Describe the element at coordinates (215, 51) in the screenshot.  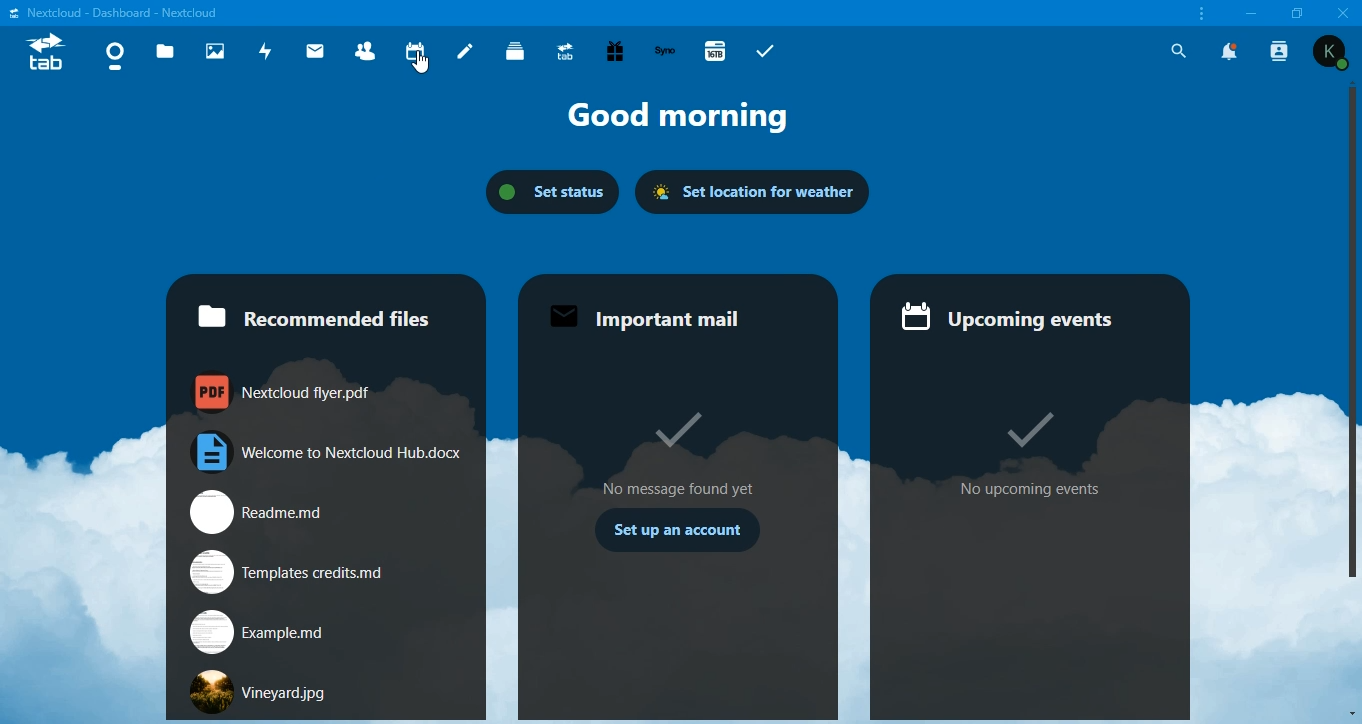
I see `photos` at that location.